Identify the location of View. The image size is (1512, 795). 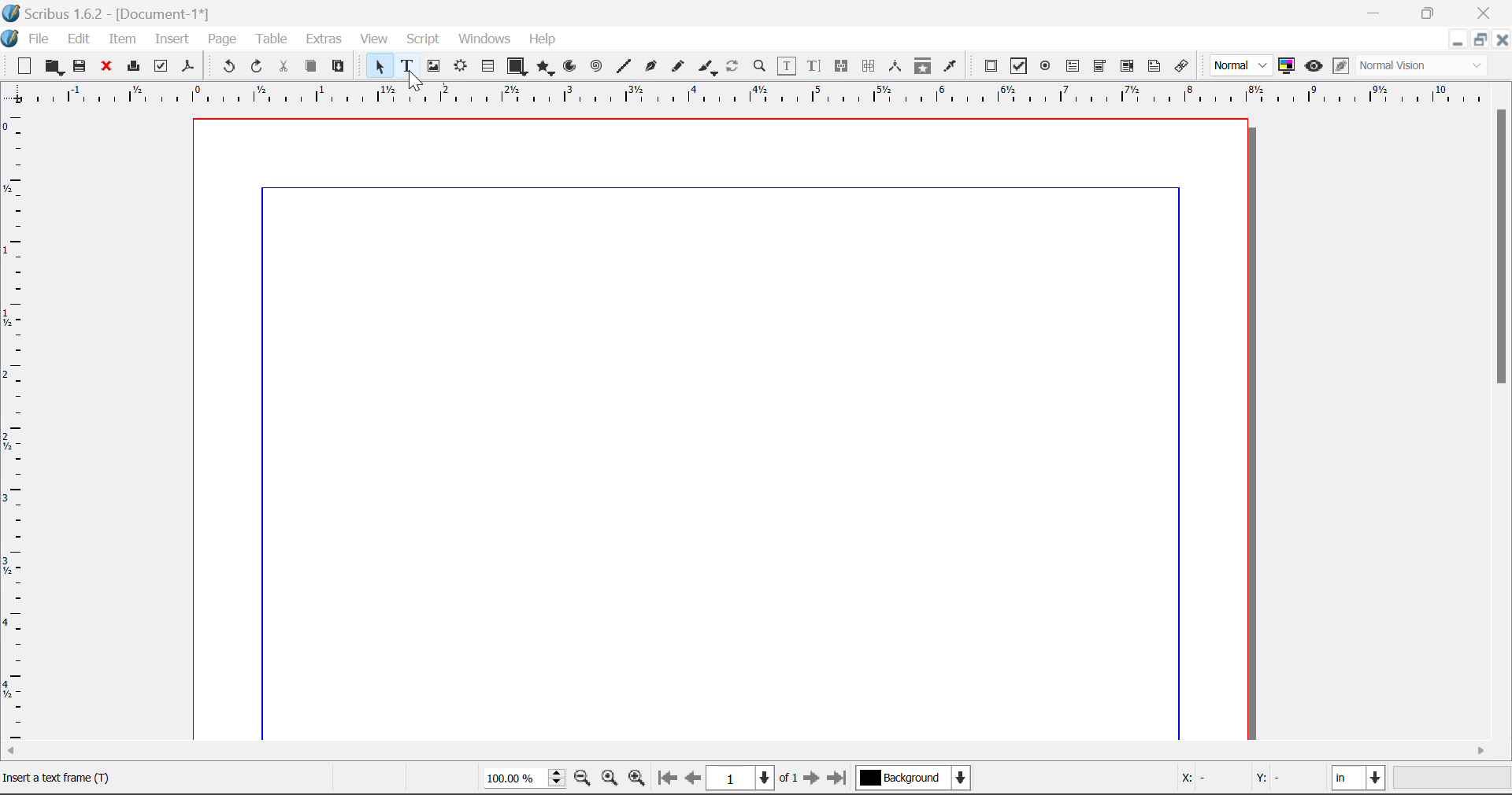
(375, 40).